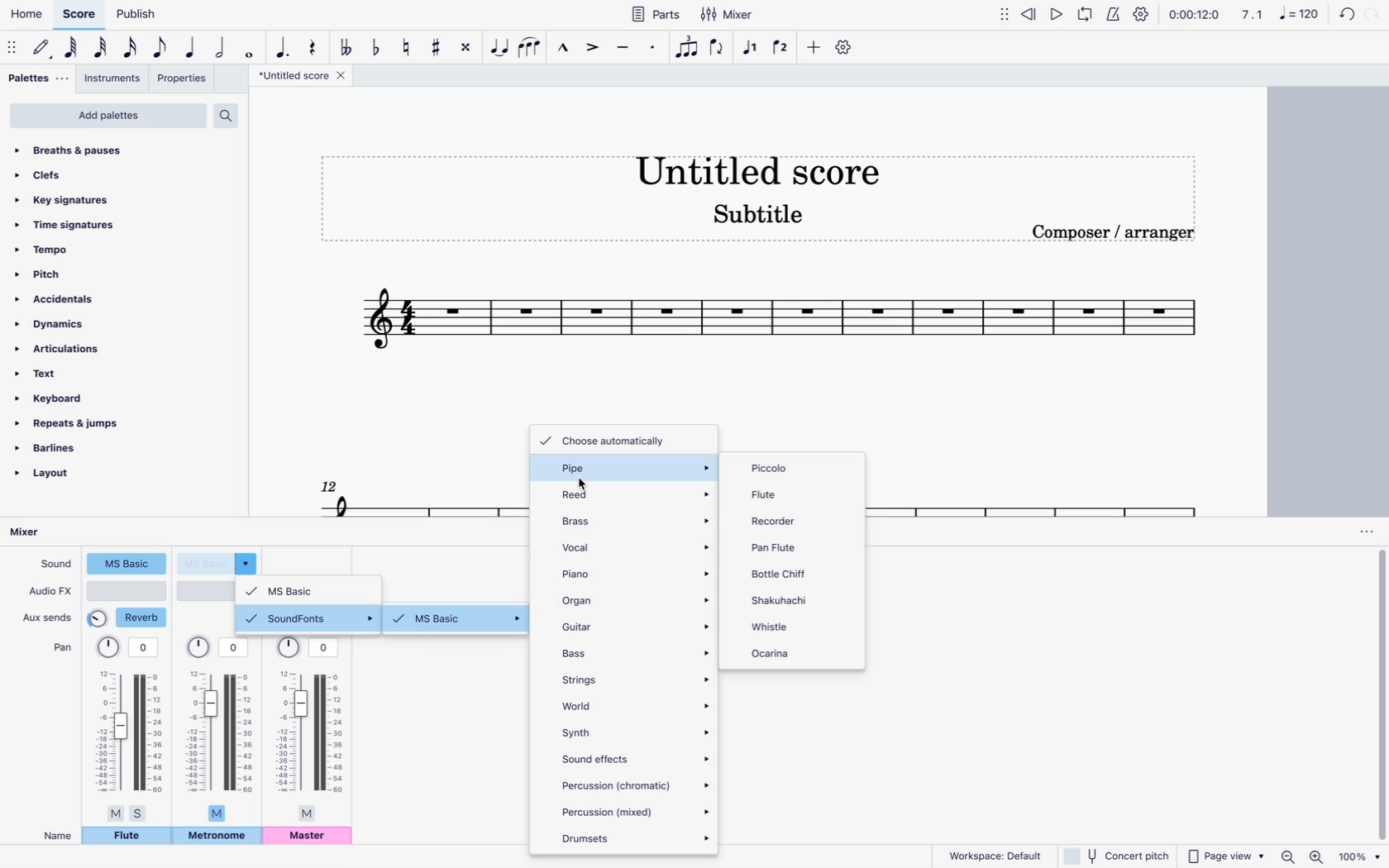  Describe the element at coordinates (109, 197) in the screenshot. I see `key signatures` at that location.